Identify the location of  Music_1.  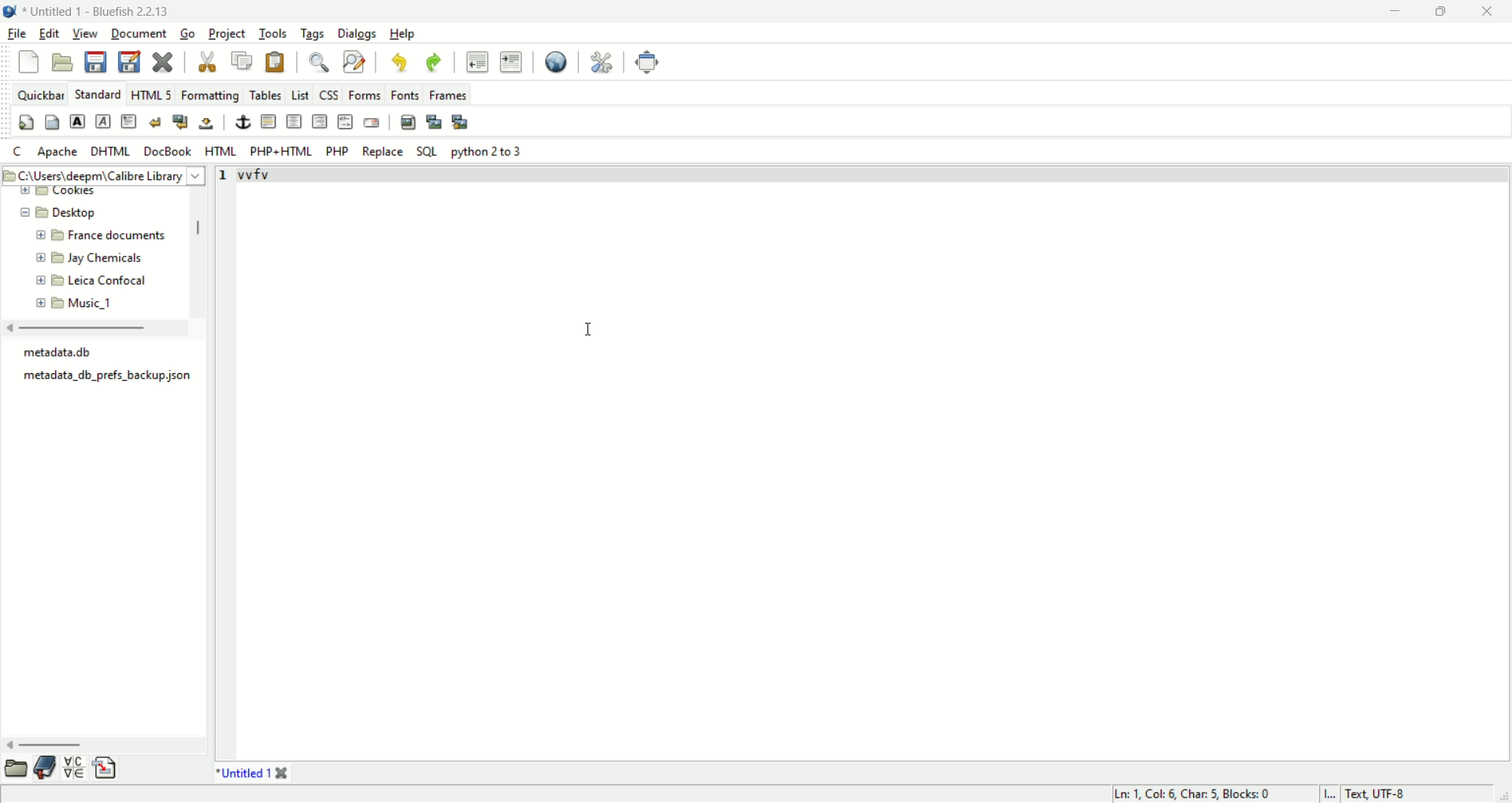
(91, 303).